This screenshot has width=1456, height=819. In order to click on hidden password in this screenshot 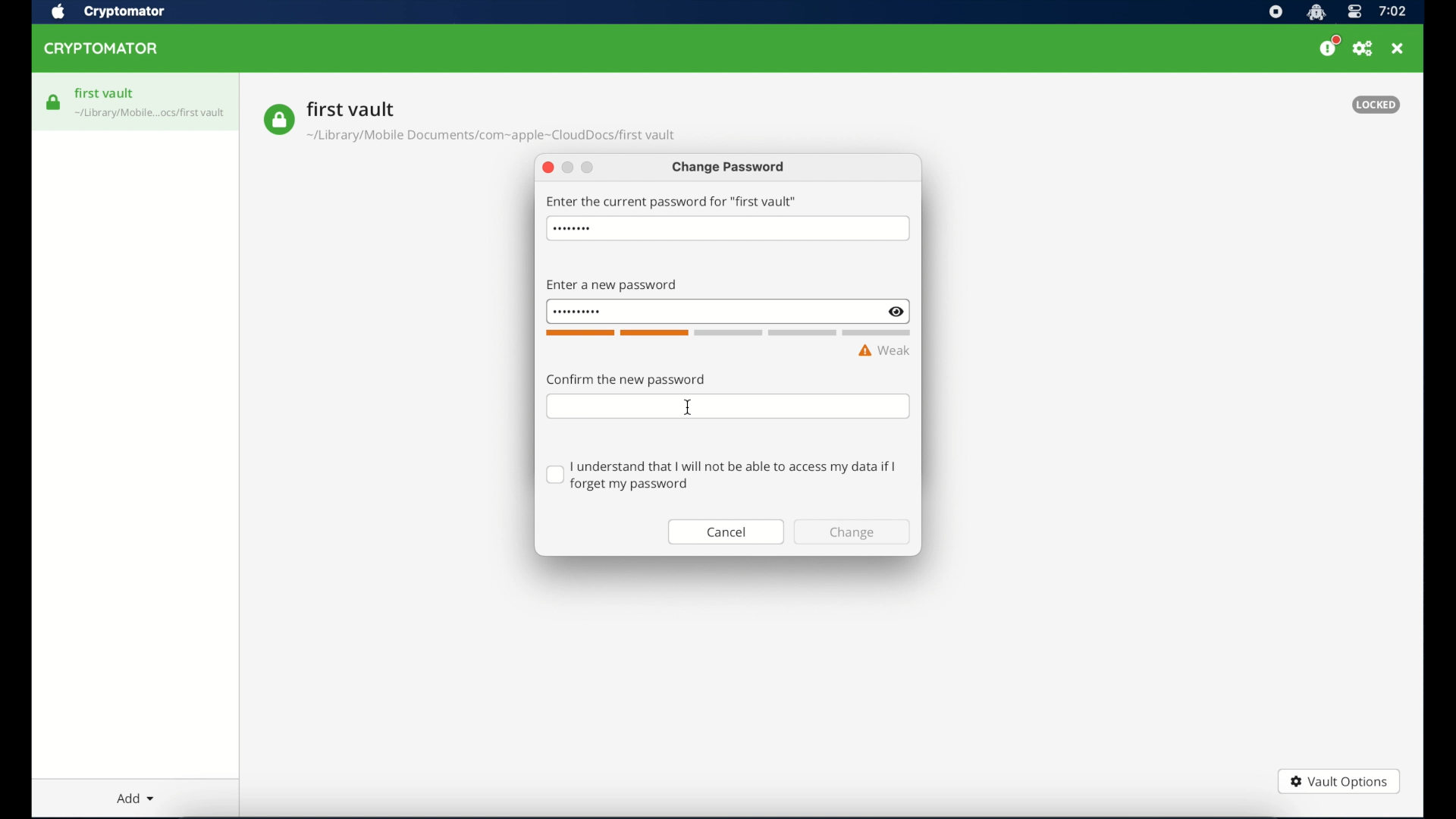, I will do `click(572, 229)`.